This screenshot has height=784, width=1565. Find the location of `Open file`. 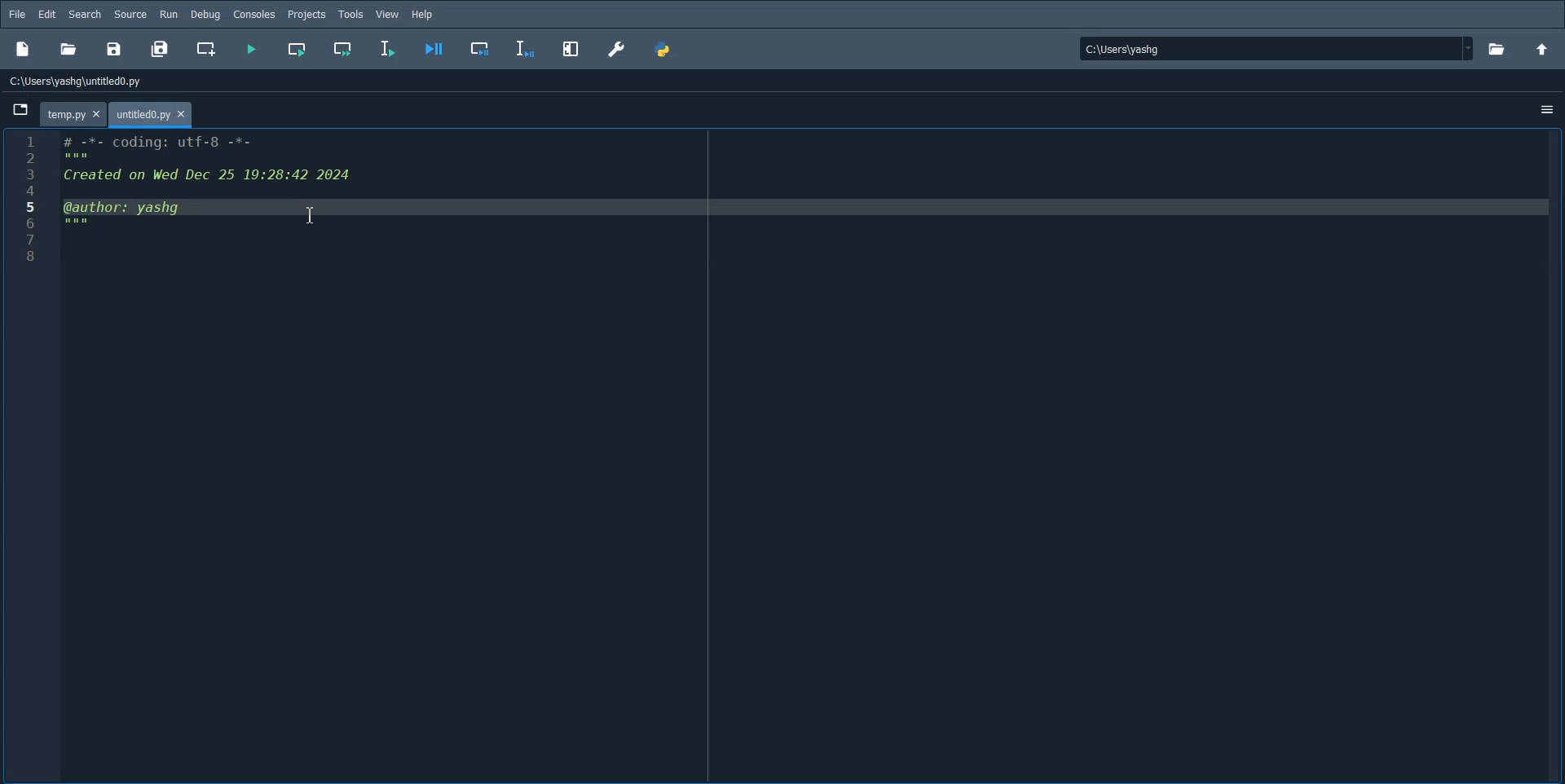

Open file is located at coordinates (68, 49).